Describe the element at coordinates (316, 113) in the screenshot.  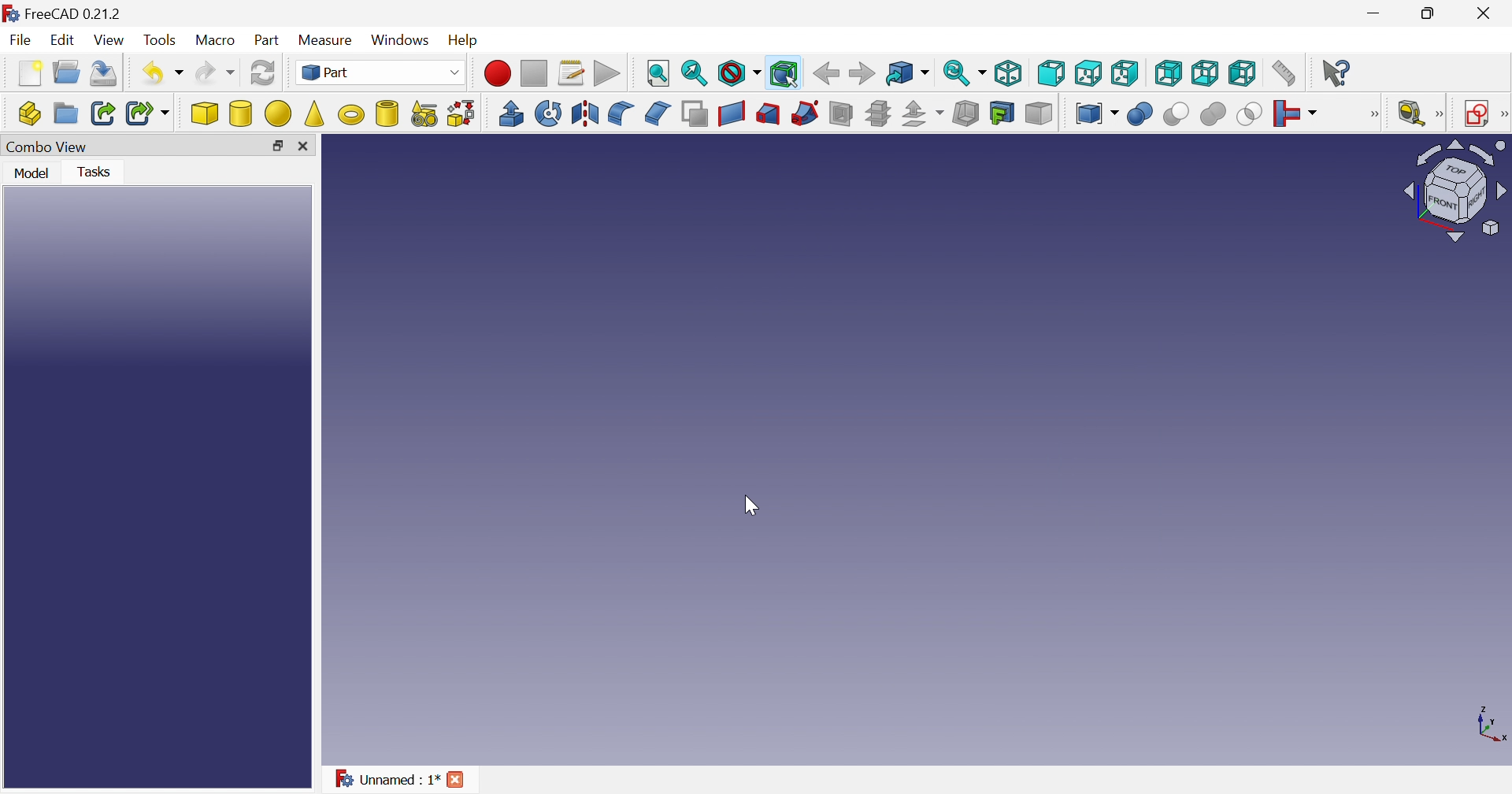
I see `Cone` at that location.